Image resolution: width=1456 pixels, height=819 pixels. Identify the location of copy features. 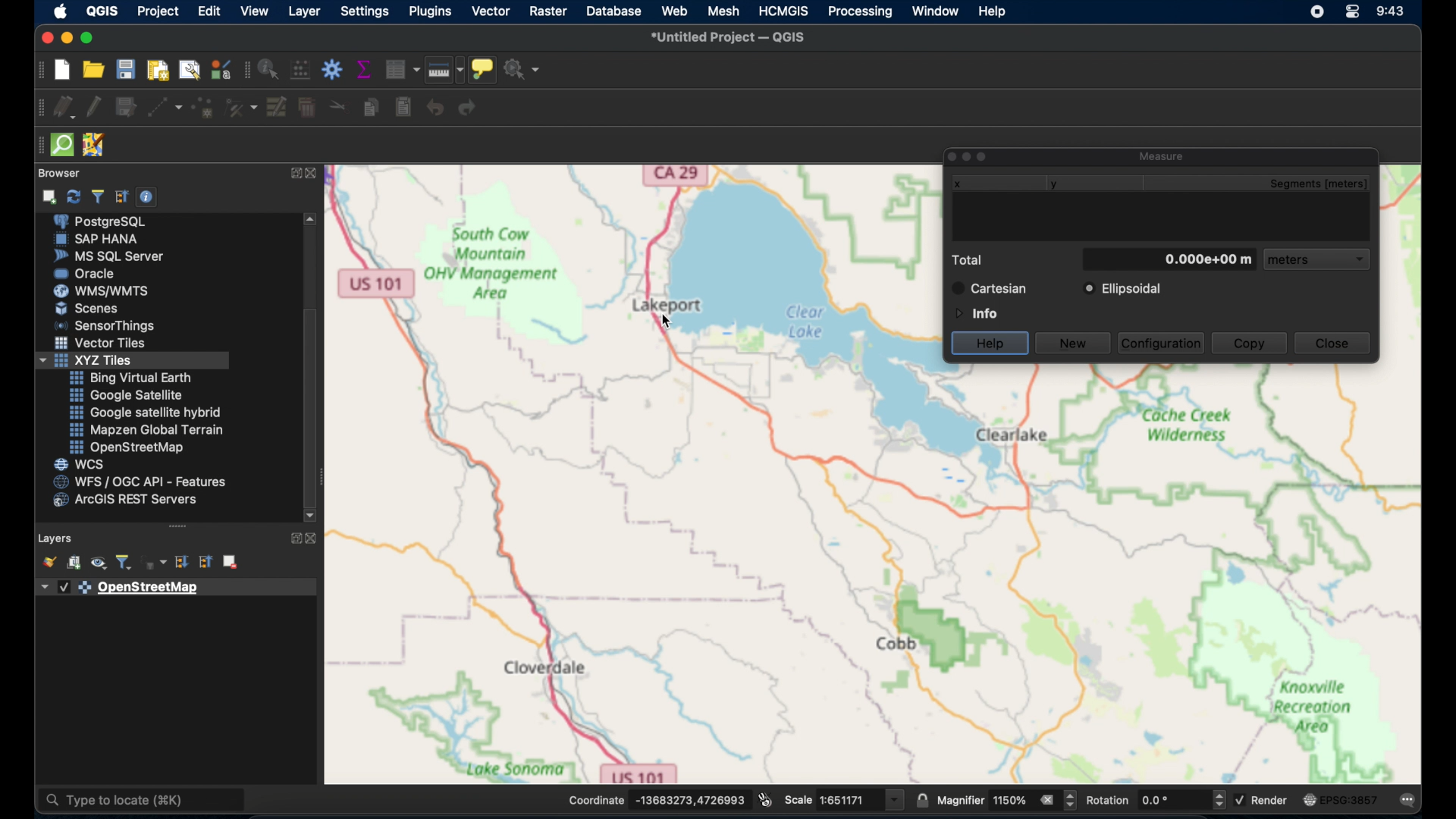
(369, 108).